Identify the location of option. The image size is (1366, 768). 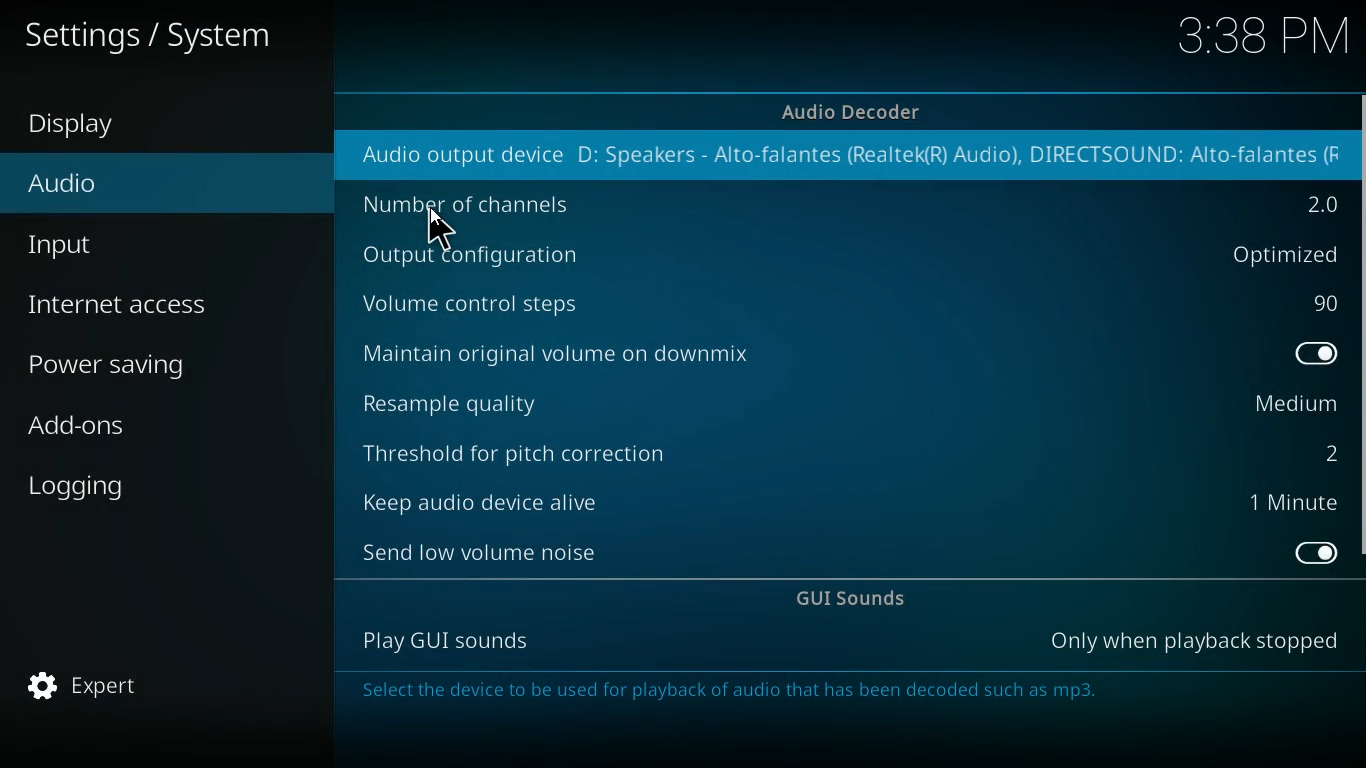
(1323, 356).